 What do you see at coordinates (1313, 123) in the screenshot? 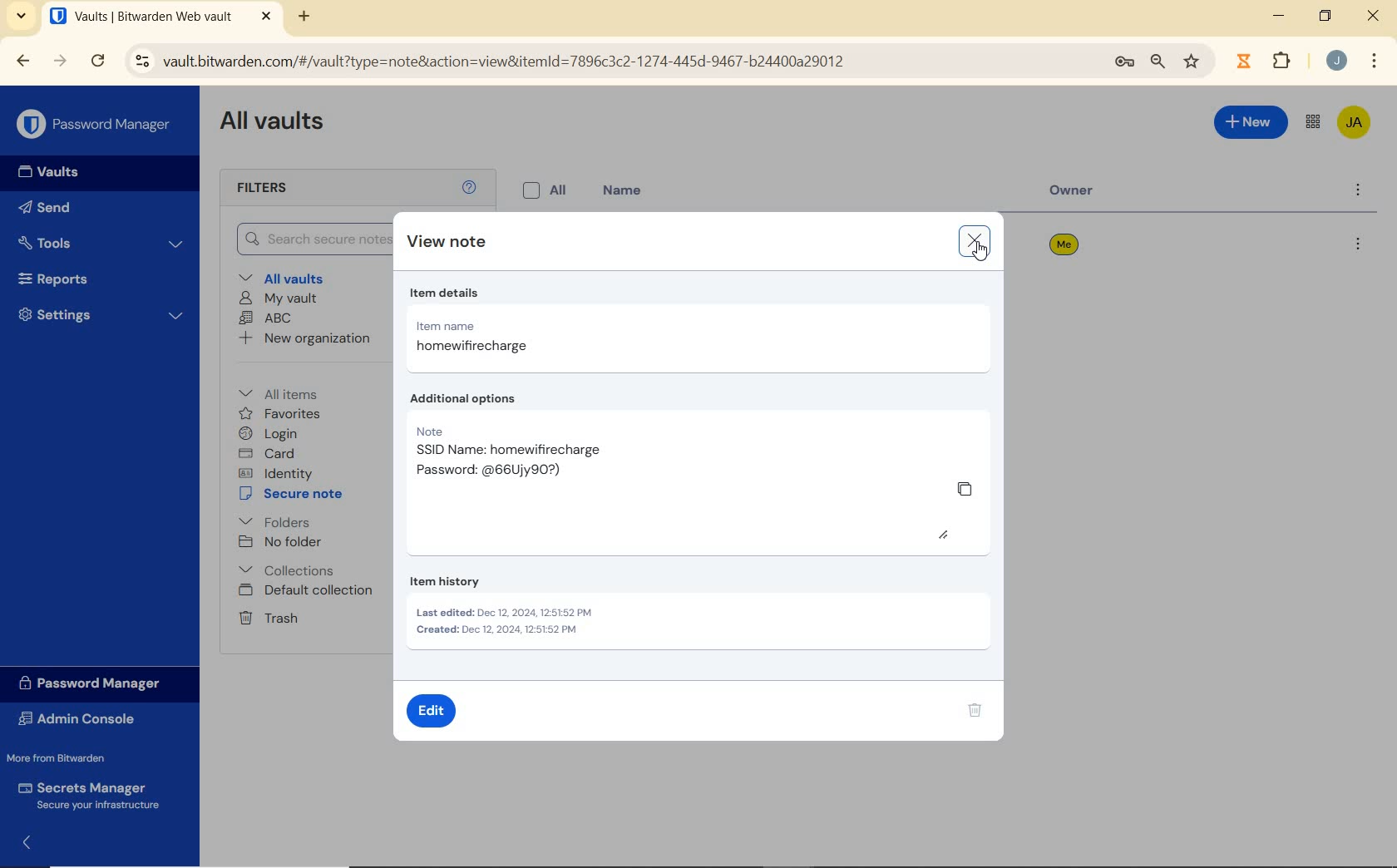
I see `toggle between admin console and password manager` at bounding box center [1313, 123].